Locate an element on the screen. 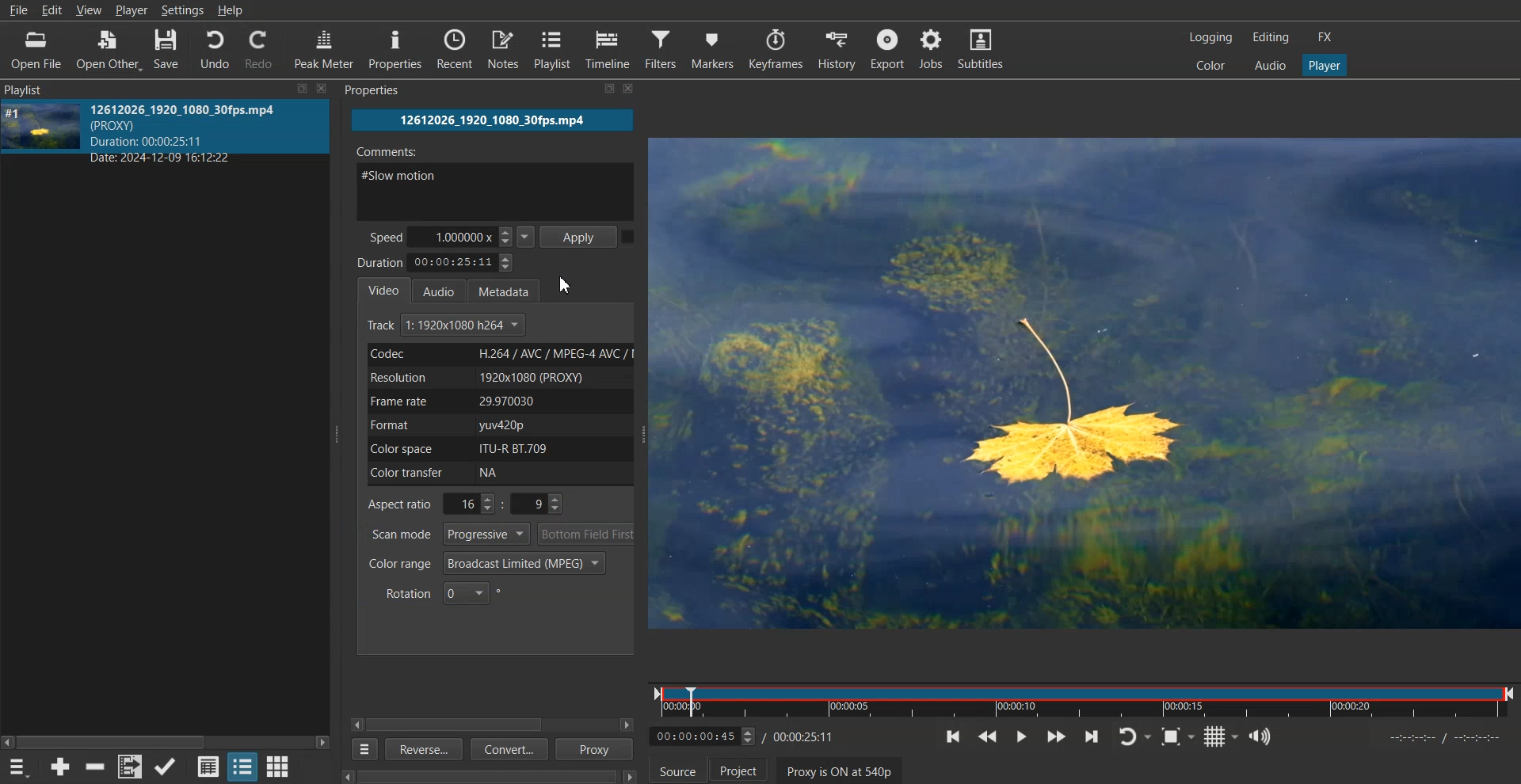  Video is located at coordinates (384, 289).